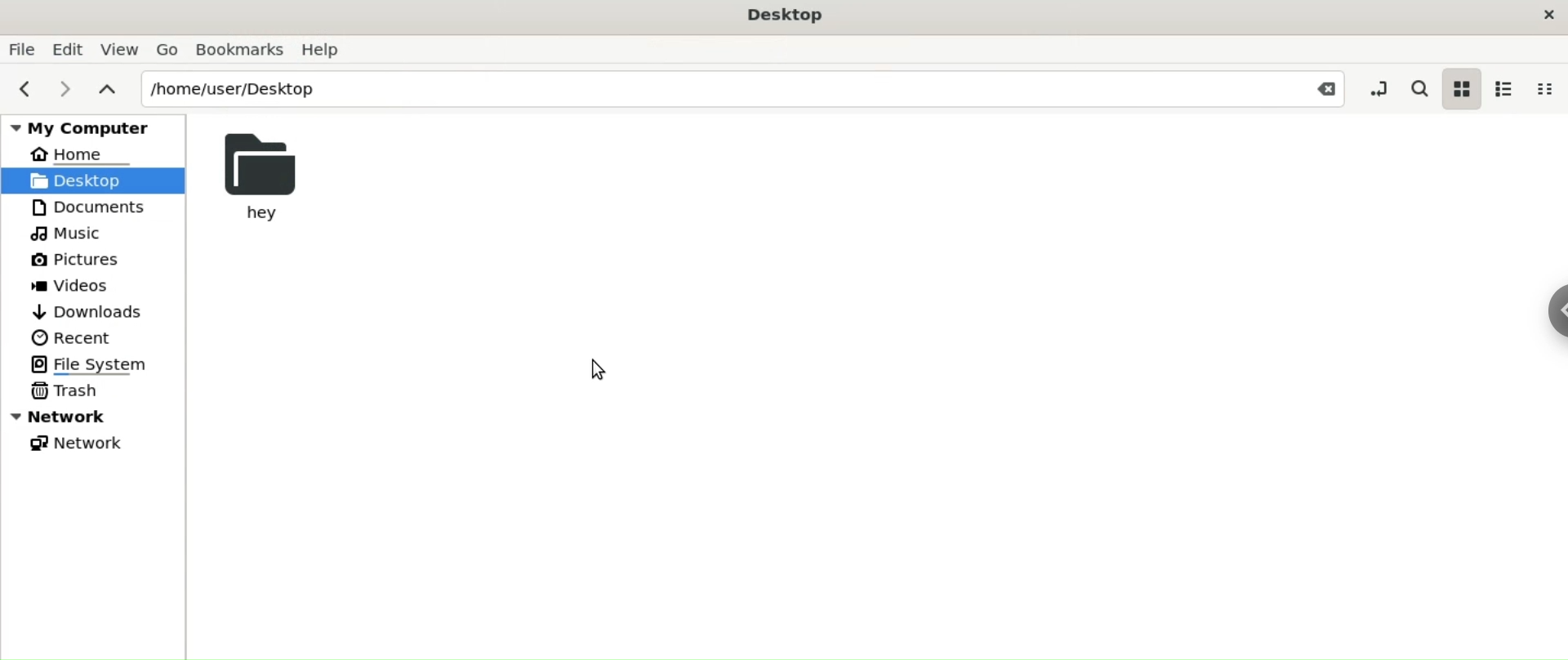 This screenshot has width=1568, height=660. What do you see at coordinates (64, 89) in the screenshot?
I see `next` at bounding box center [64, 89].